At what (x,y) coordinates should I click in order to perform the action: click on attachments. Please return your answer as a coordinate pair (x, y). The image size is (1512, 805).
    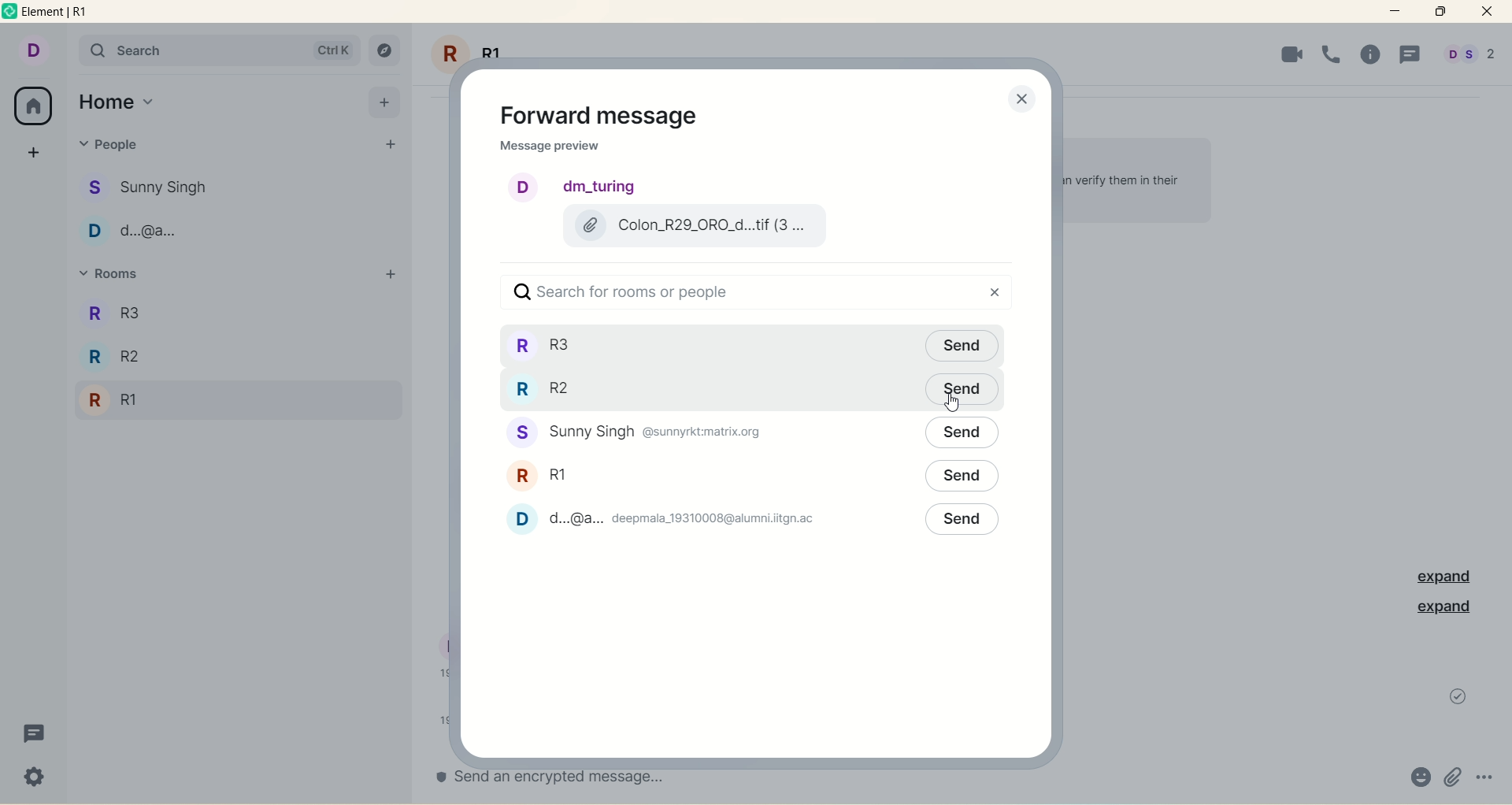
    Looking at the image, I should click on (1453, 777).